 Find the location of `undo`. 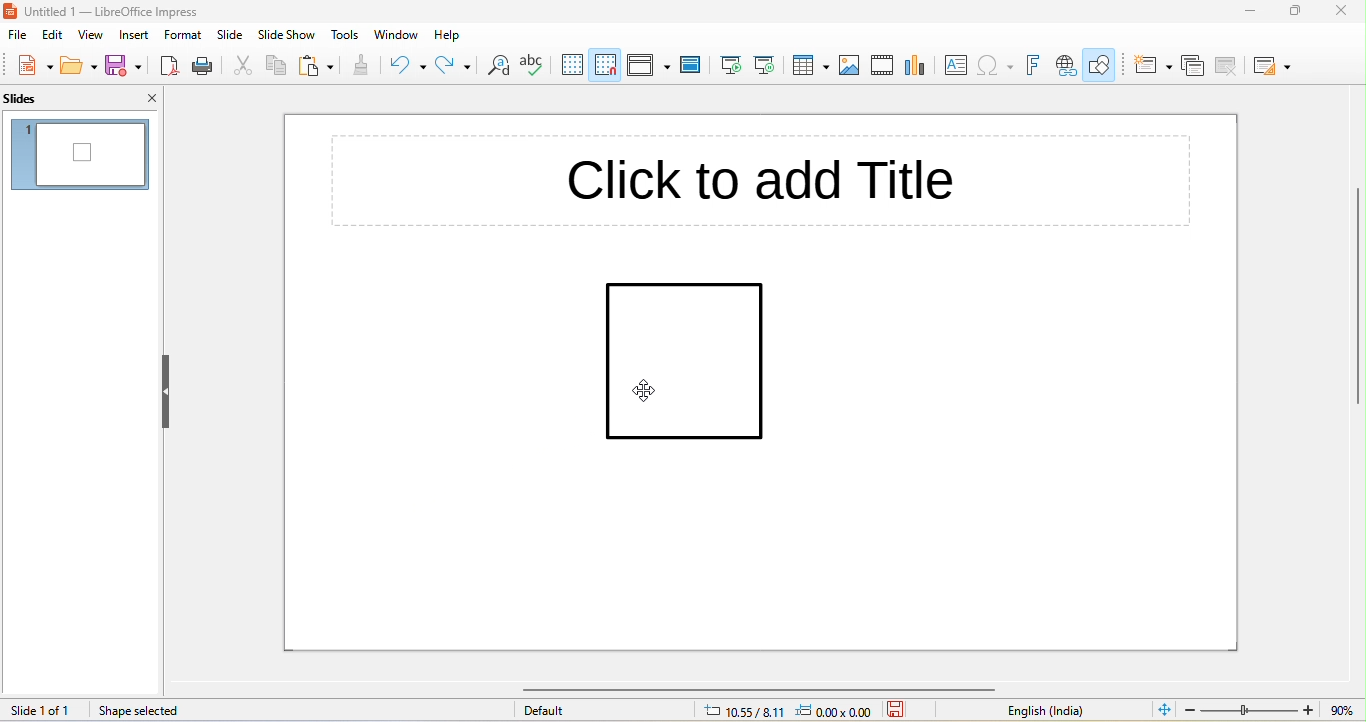

undo is located at coordinates (407, 64).